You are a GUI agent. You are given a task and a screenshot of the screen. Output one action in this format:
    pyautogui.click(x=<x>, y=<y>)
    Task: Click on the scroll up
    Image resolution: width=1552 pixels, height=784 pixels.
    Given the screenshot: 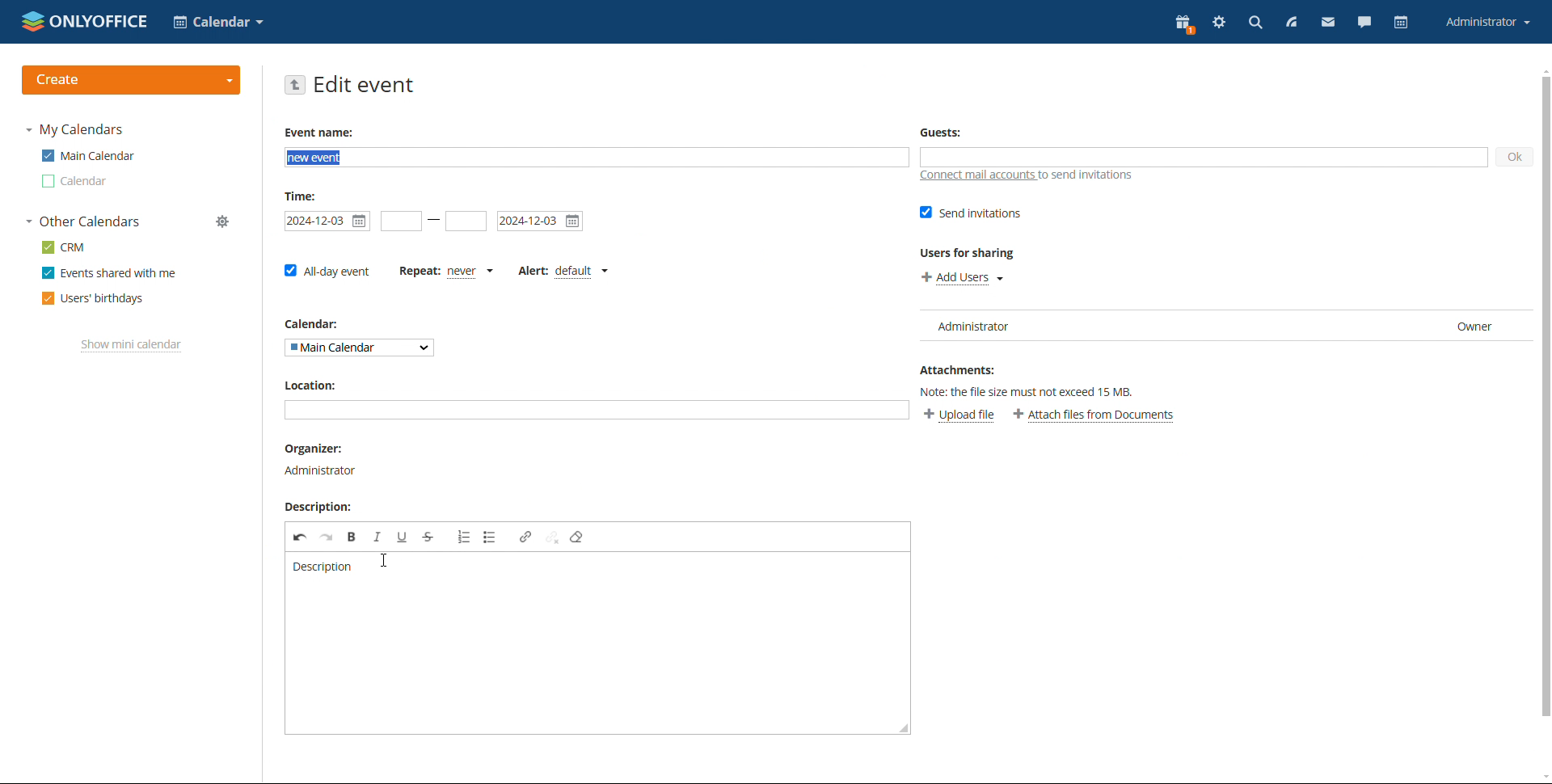 What is the action you would take?
    pyautogui.click(x=1542, y=72)
    